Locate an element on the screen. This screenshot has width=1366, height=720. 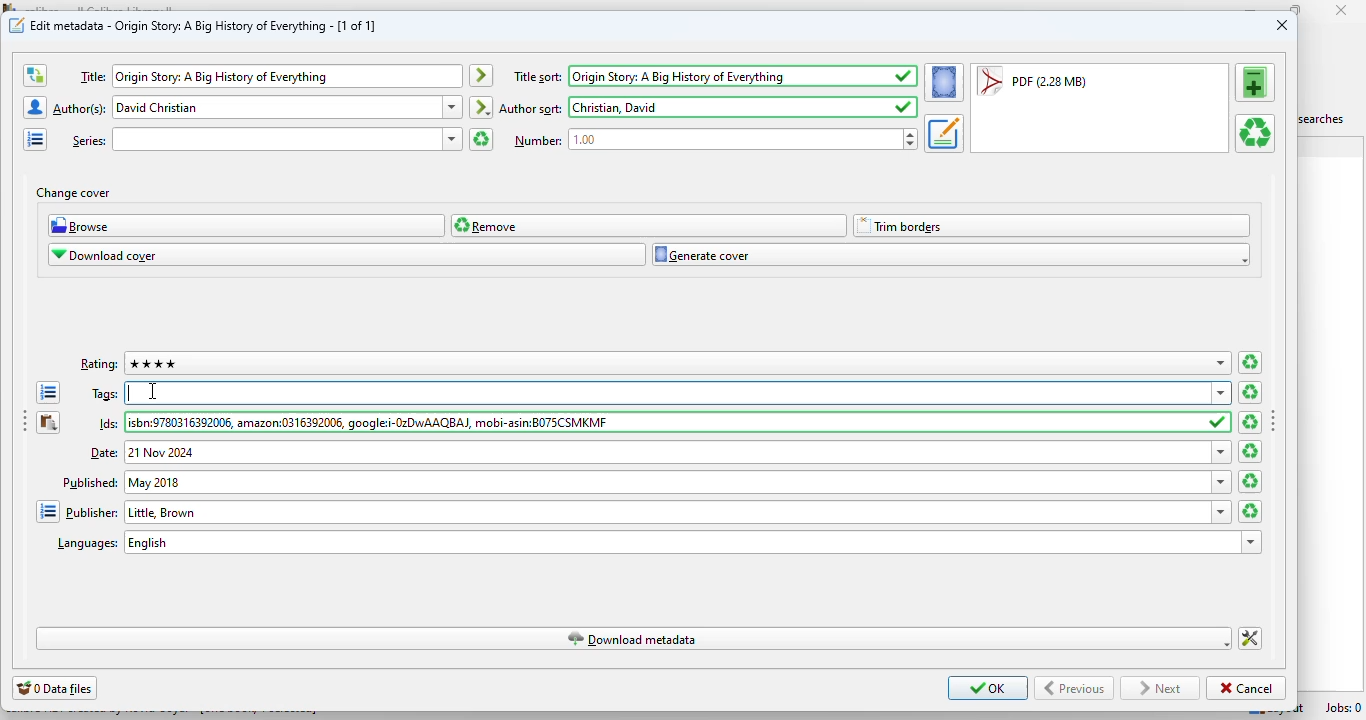
toggle sidebar is located at coordinates (1274, 420).